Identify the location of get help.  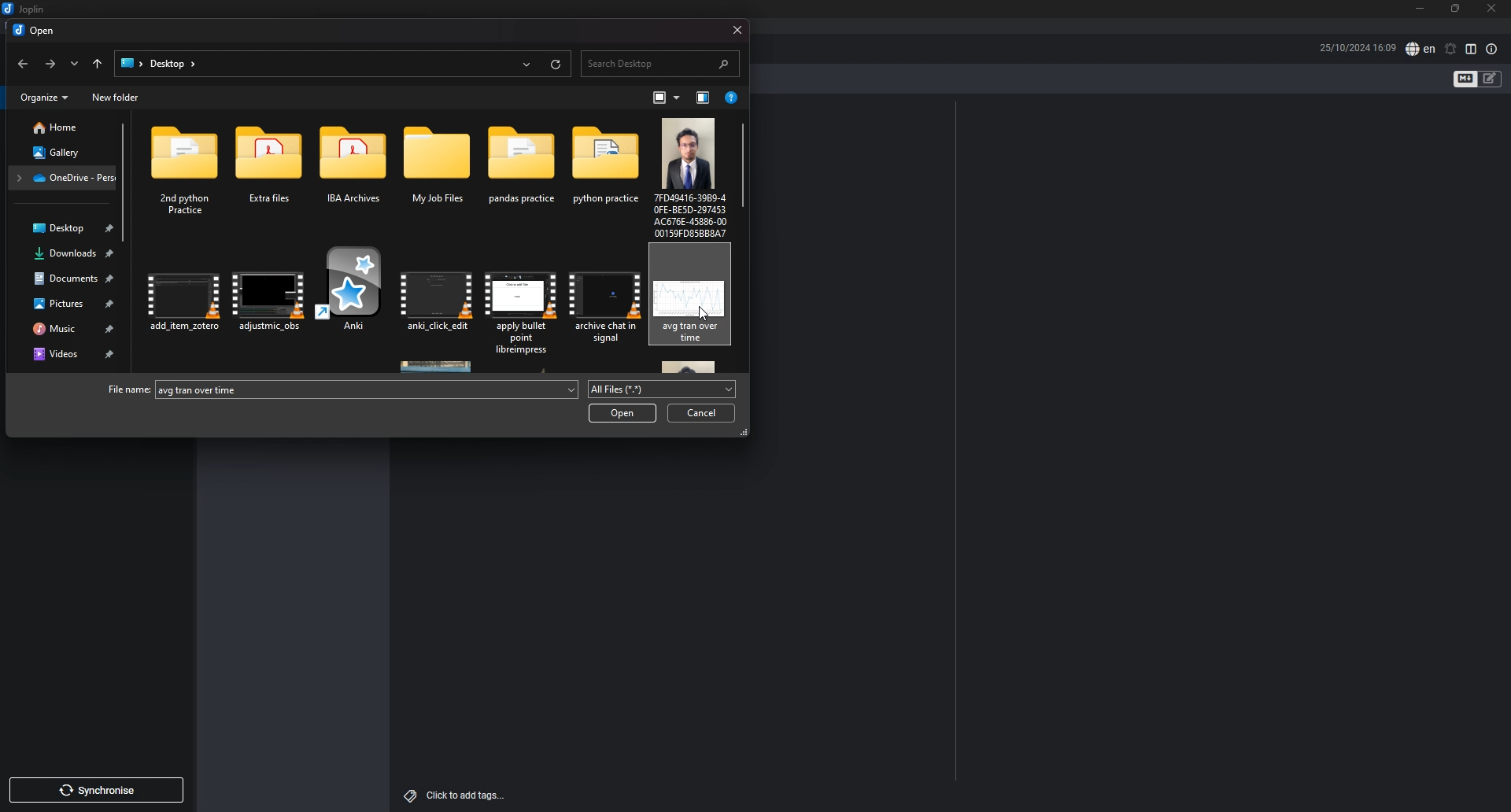
(731, 98).